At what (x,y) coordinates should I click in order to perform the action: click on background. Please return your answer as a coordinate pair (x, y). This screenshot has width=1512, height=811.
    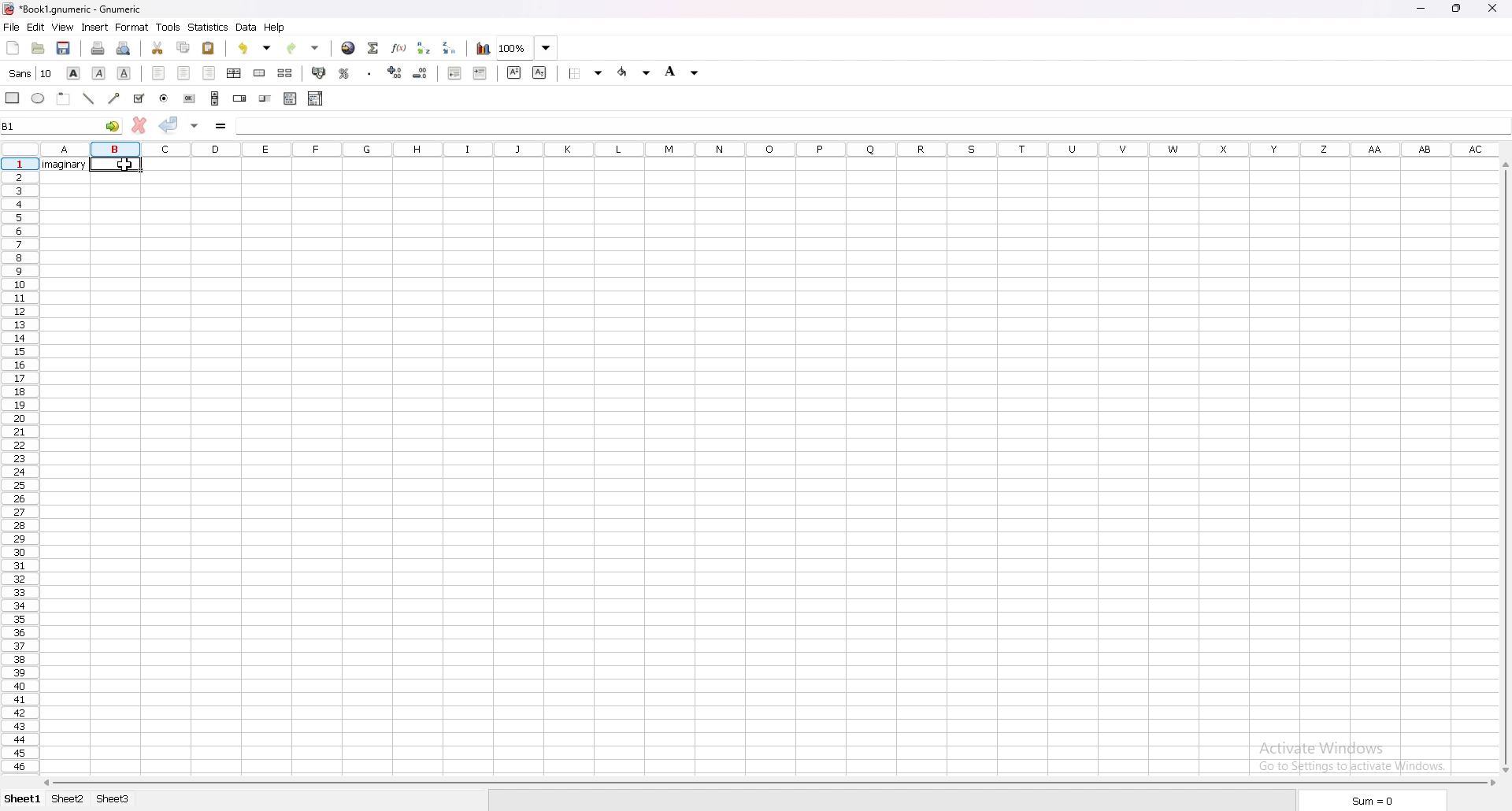
    Looking at the image, I should click on (683, 73).